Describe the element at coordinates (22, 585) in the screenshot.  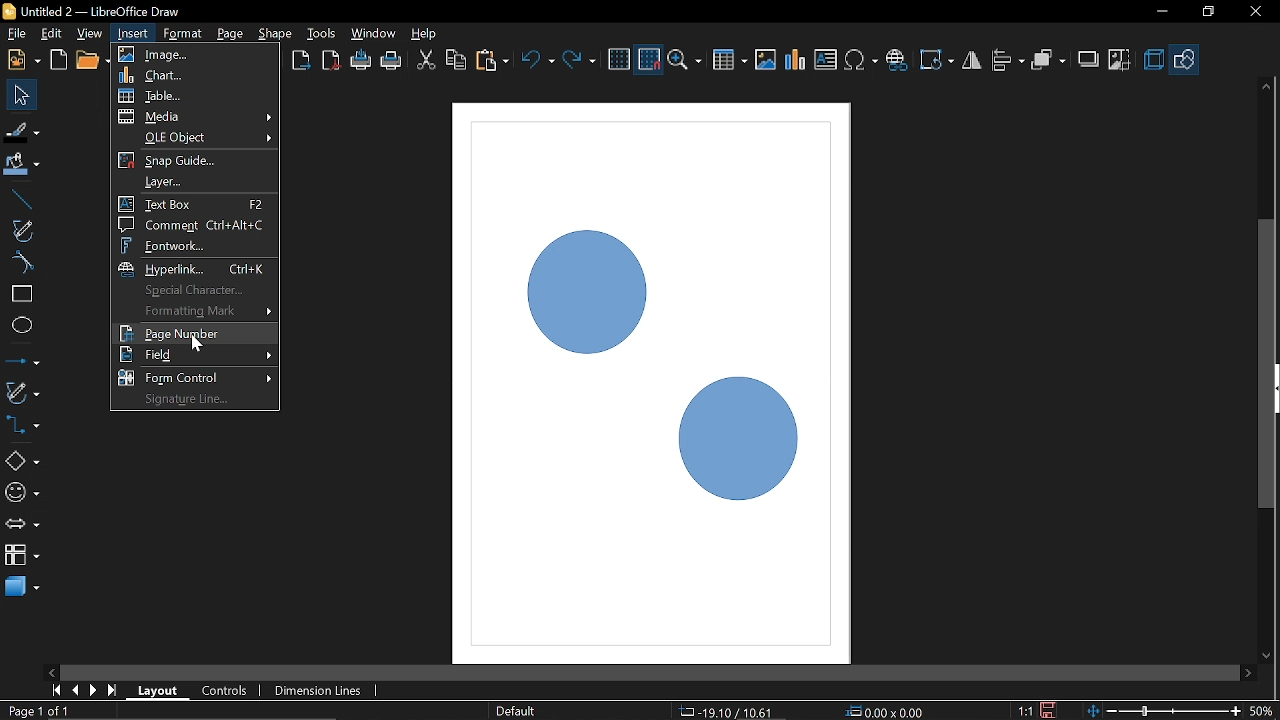
I see `3d shapes` at that location.